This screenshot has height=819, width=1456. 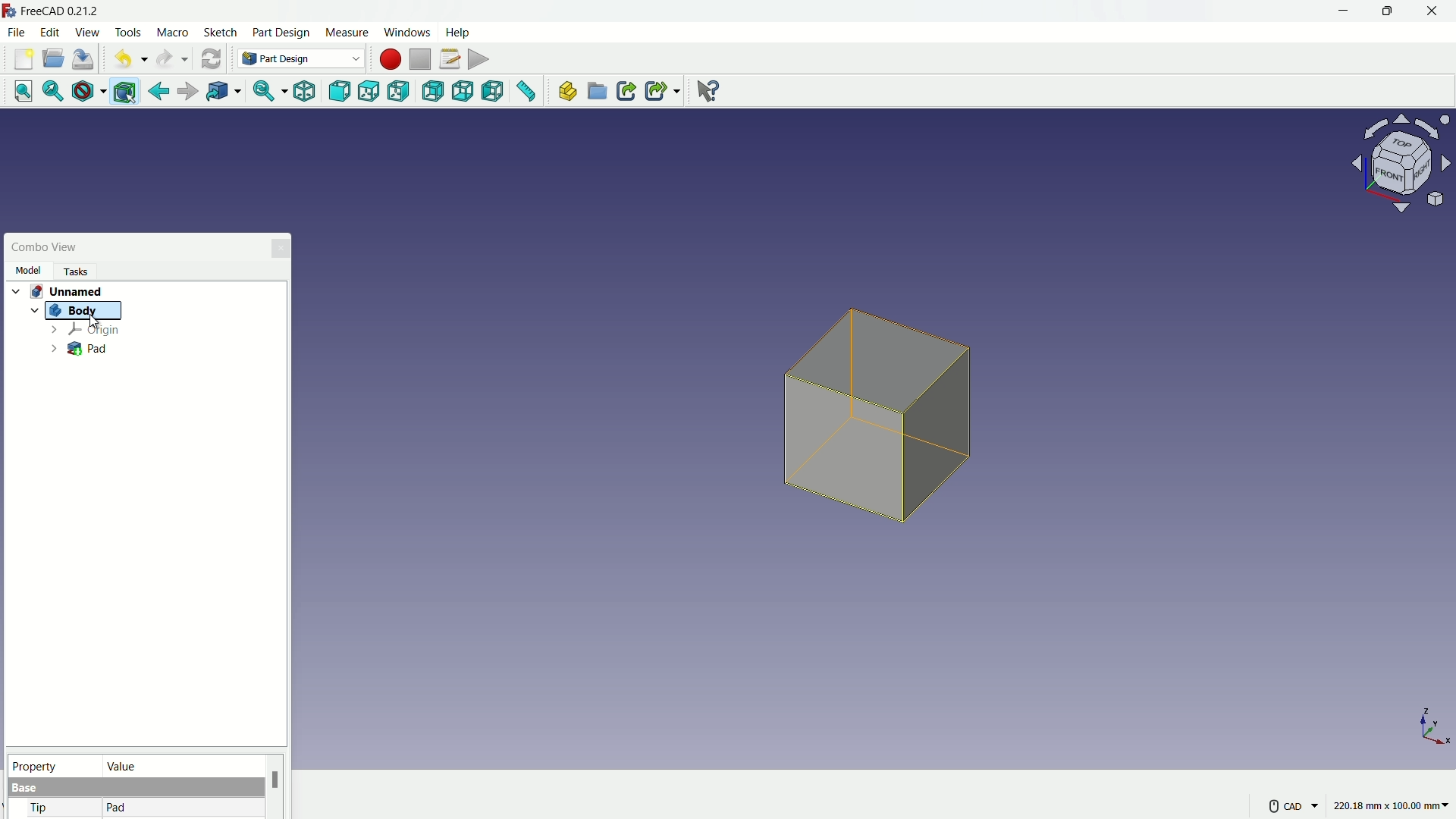 What do you see at coordinates (40, 809) in the screenshot?
I see `tip` at bounding box center [40, 809].